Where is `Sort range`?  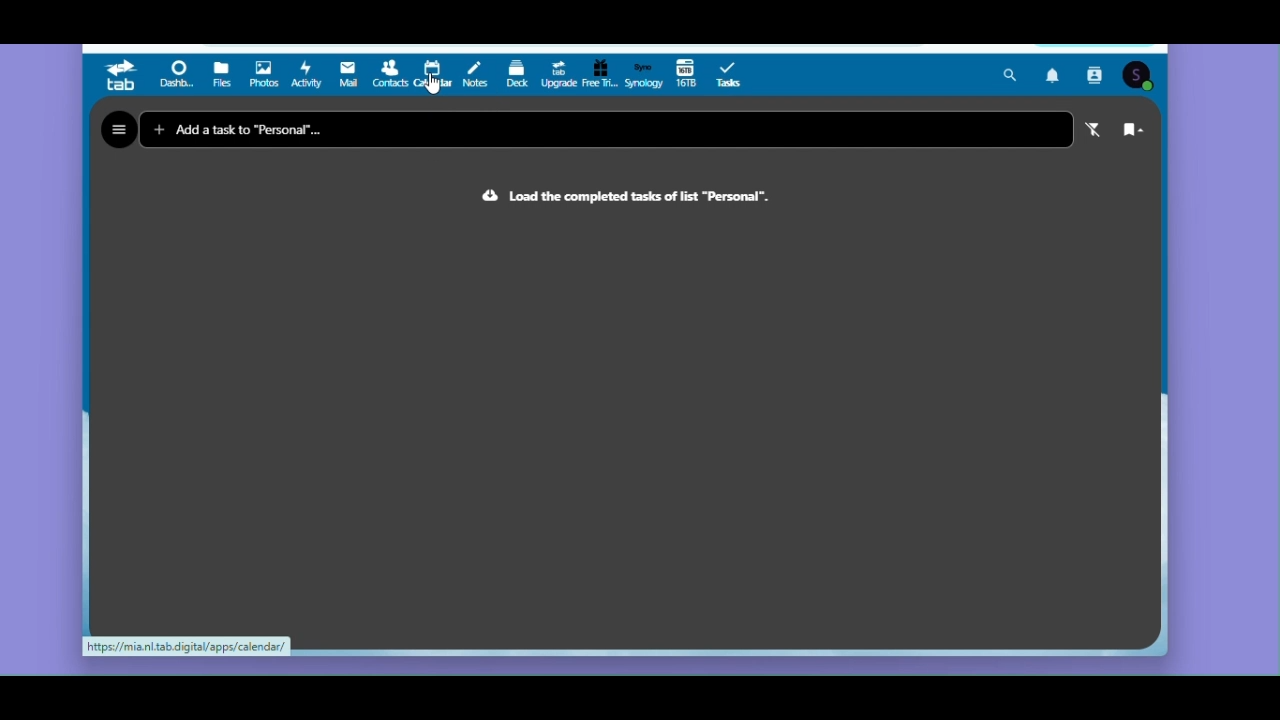 Sort range is located at coordinates (1132, 133).